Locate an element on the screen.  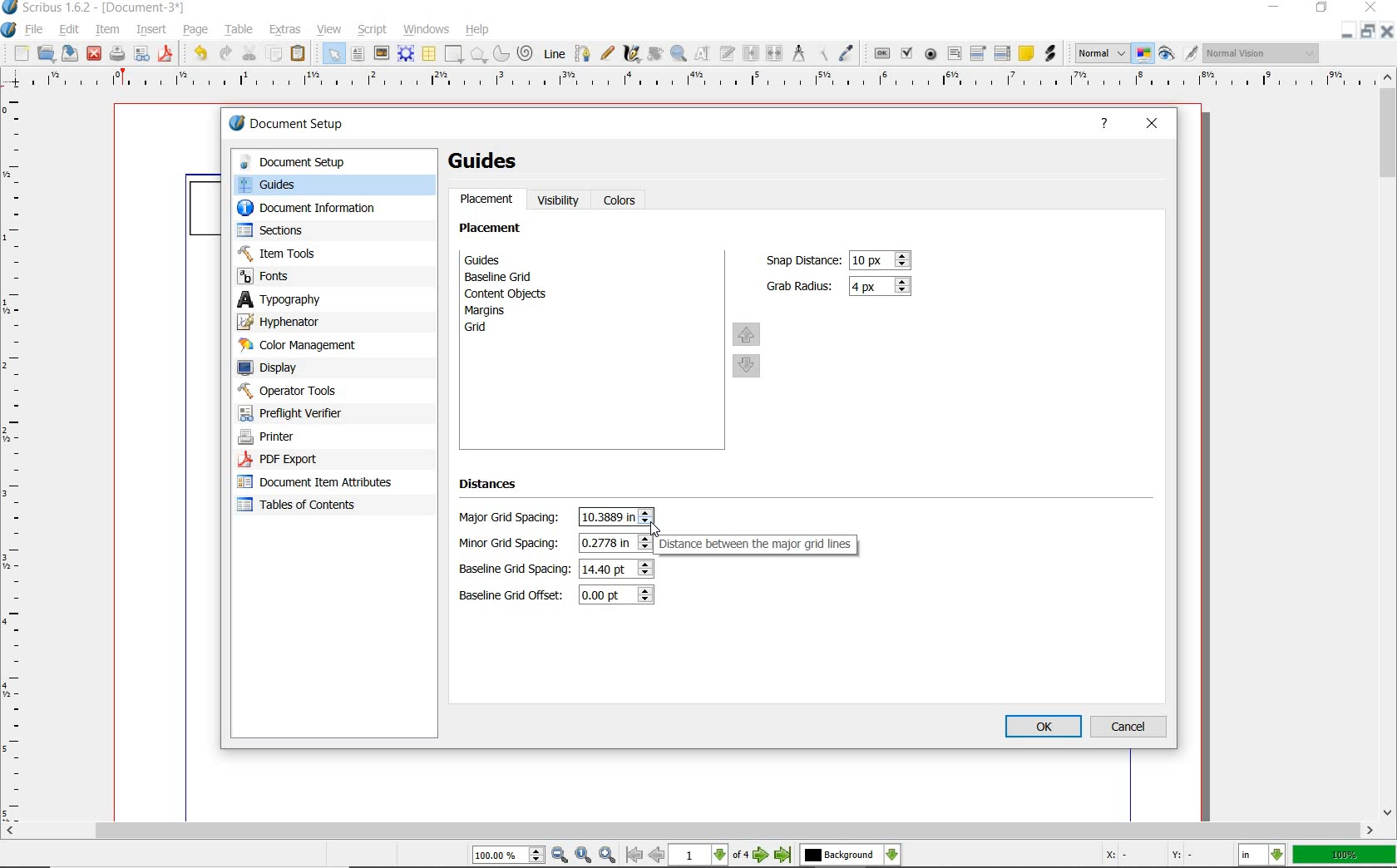
Baseline Grid Offset is located at coordinates (615, 596).